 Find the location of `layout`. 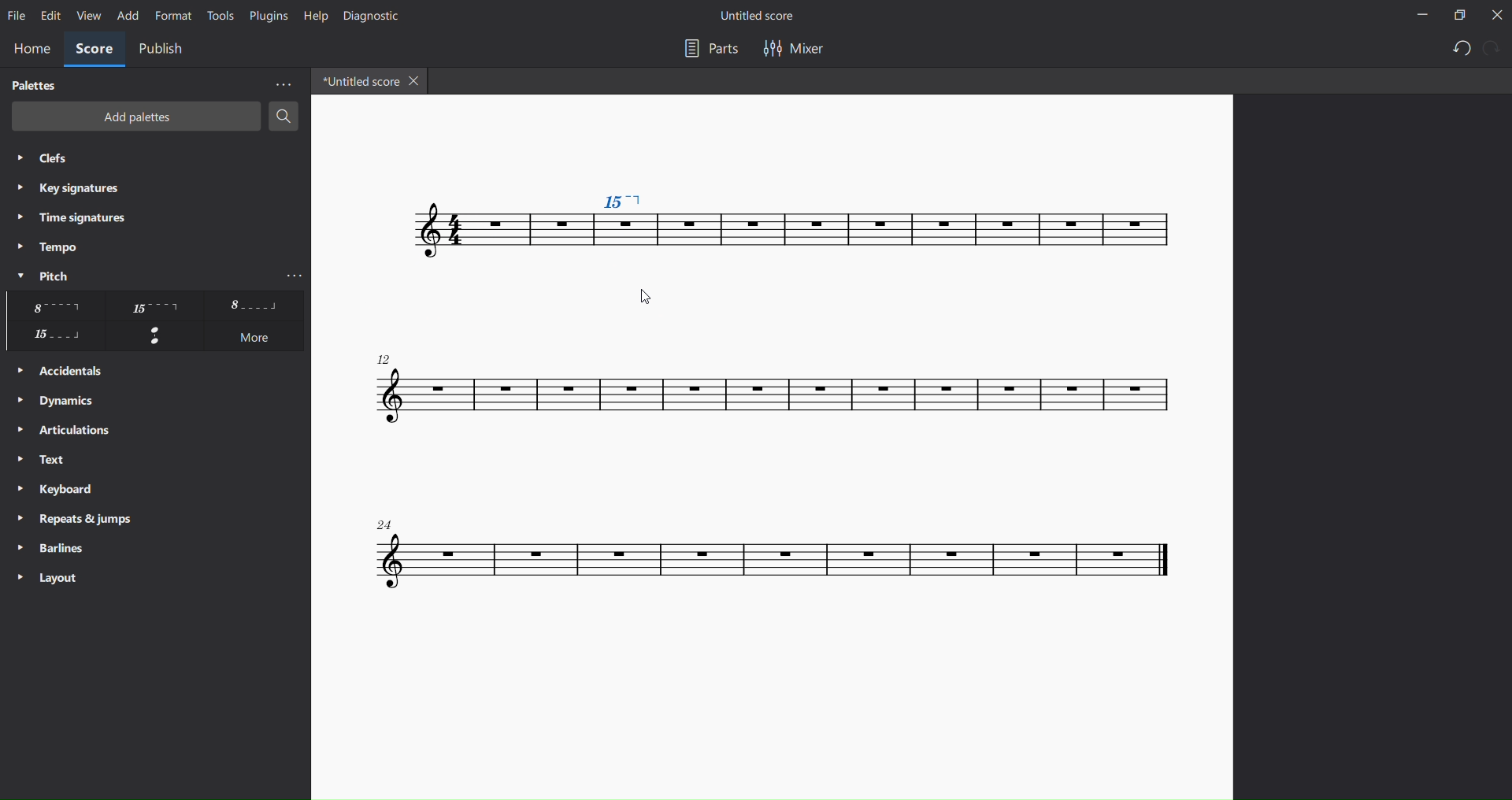

layout is located at coordinates (55, 576).